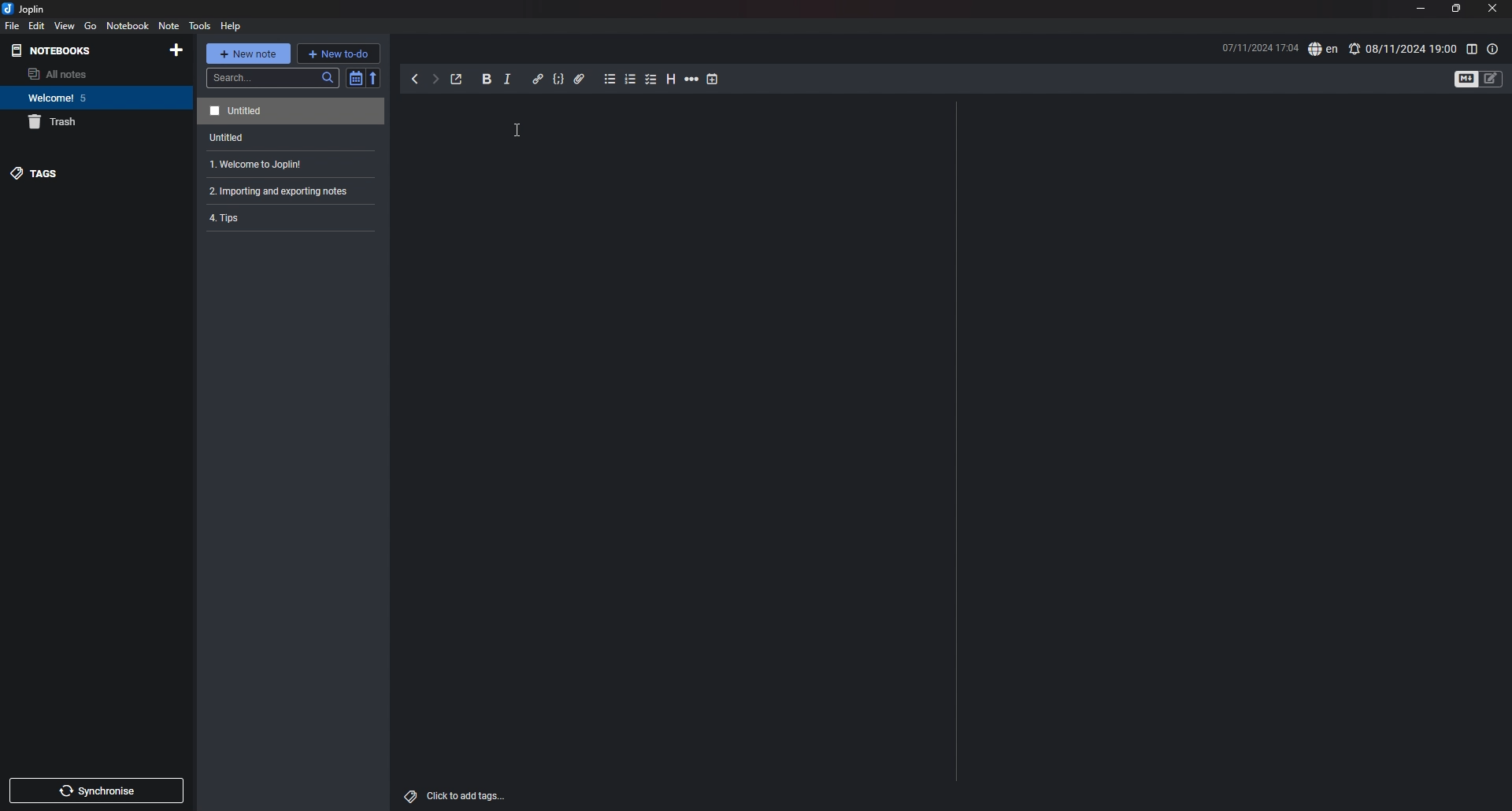 This screenshot has width=1512, height=811. I want to click on new note, so click(248, 52).